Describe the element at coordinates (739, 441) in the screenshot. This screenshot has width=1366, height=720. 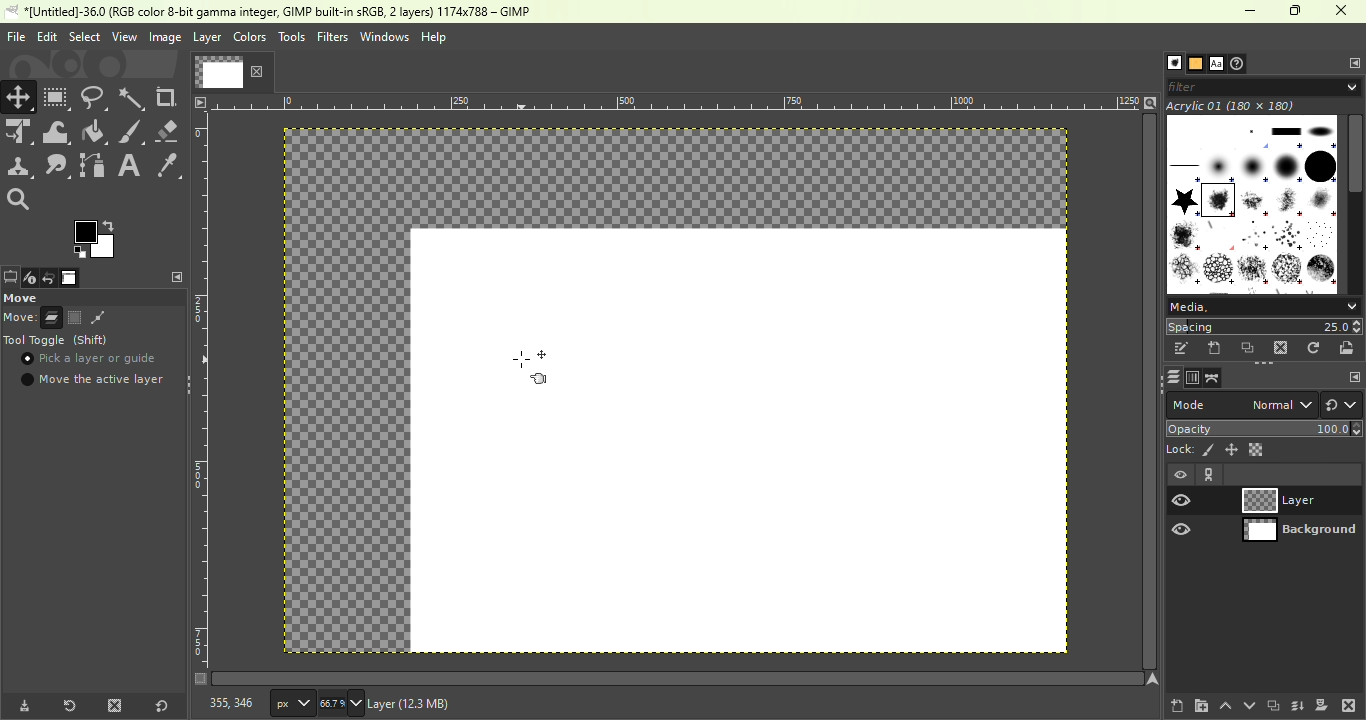
I see `canvas` at that location.